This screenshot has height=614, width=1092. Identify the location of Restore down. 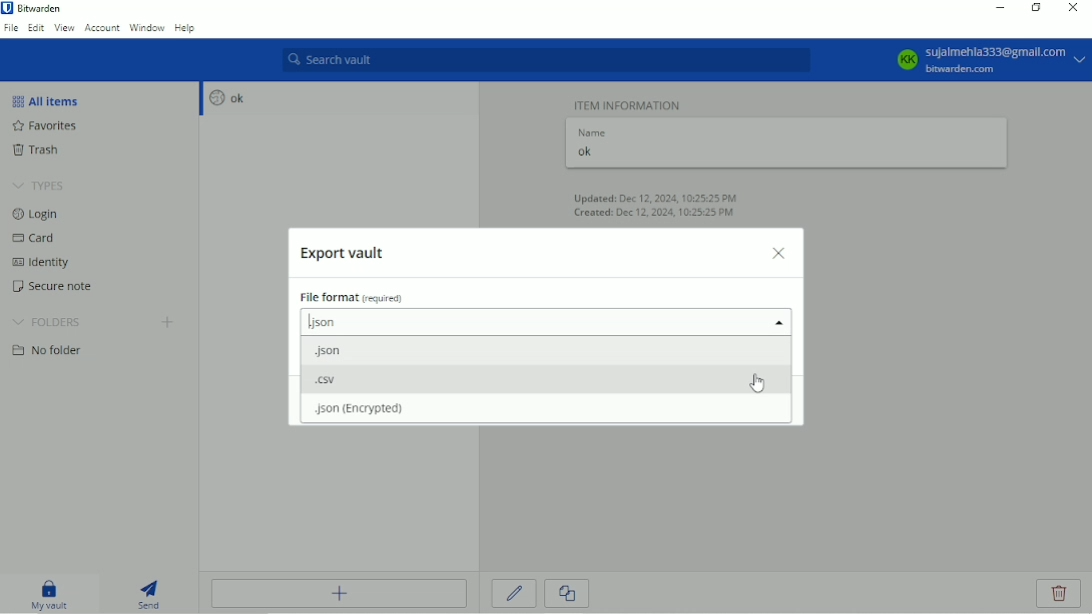
(1036, 7).